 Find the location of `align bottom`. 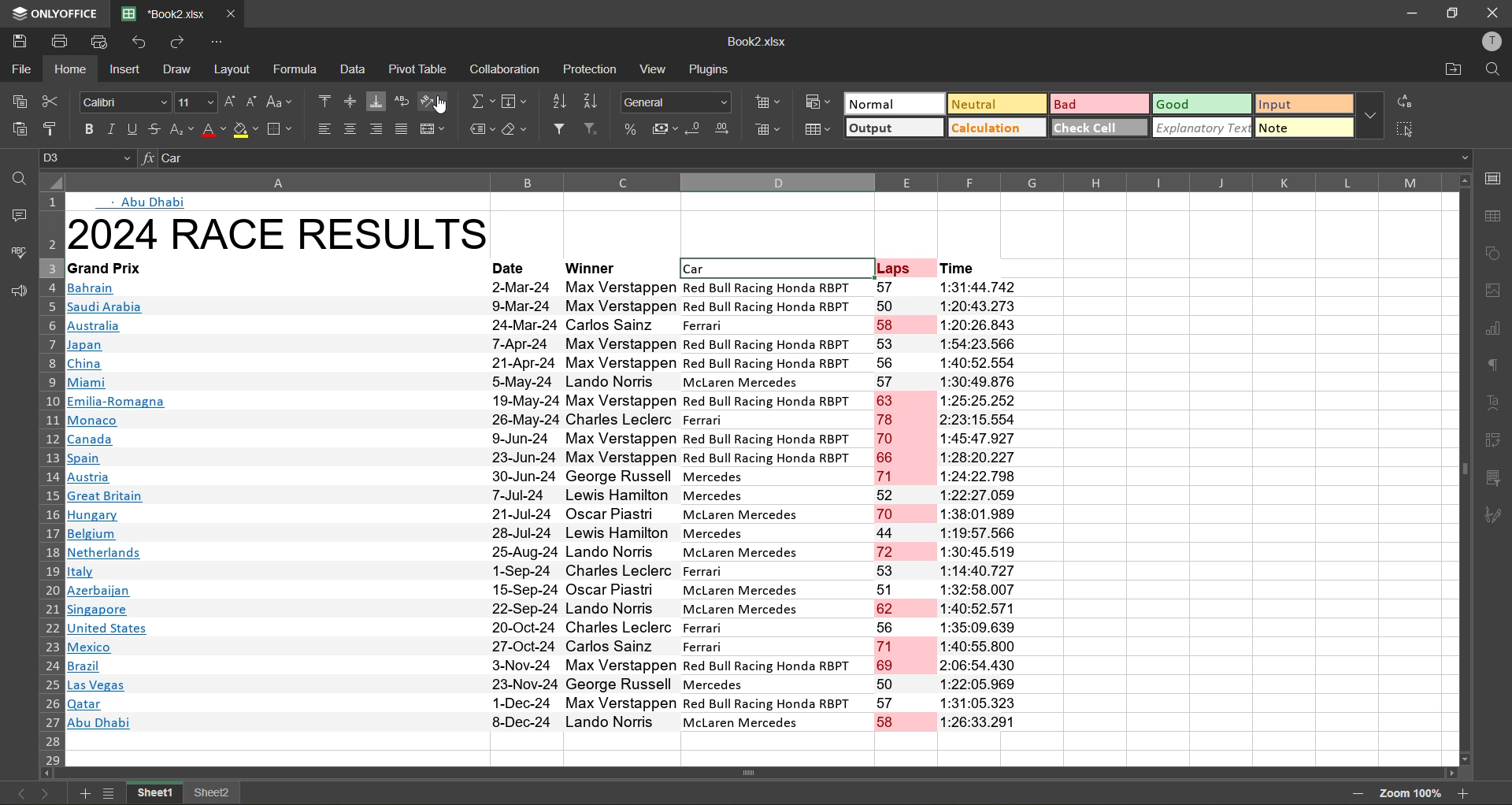

align bottom is located at coordinates (375, 102).